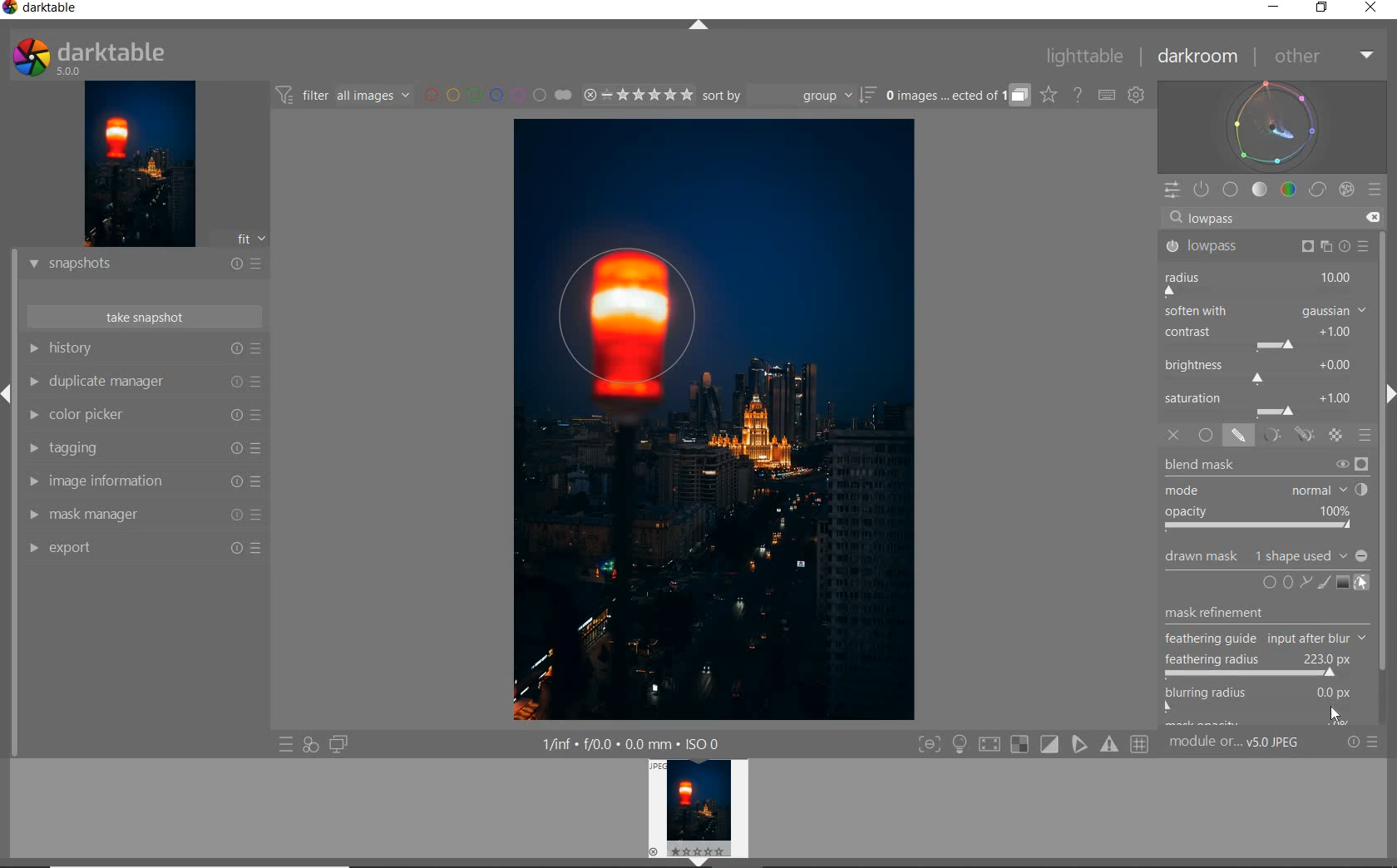 This screenshot has height=868, width=1397. Describe the element at coordinates (144, 450) in the screenshot. I see `TAGGING` at that location.